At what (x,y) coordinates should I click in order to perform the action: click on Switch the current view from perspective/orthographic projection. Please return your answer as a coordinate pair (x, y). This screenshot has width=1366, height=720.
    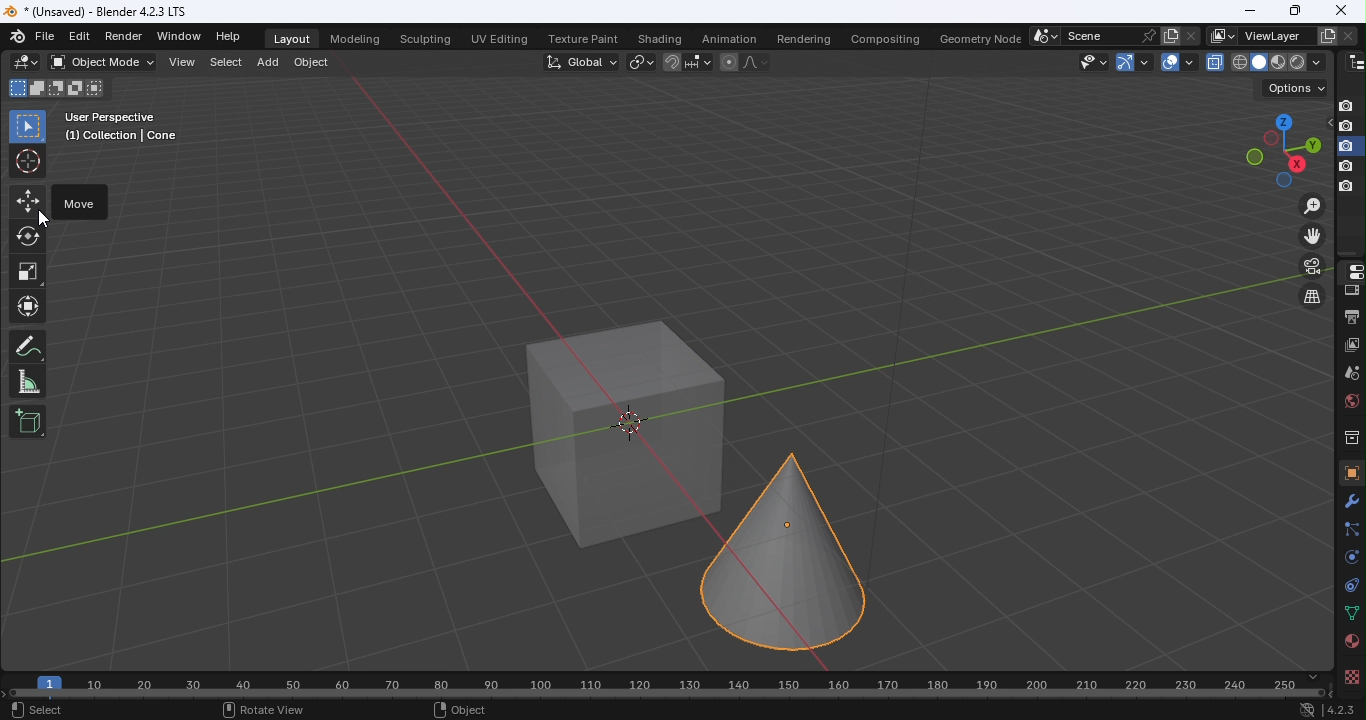
    Looking at the image, I should click on (1309, 298).